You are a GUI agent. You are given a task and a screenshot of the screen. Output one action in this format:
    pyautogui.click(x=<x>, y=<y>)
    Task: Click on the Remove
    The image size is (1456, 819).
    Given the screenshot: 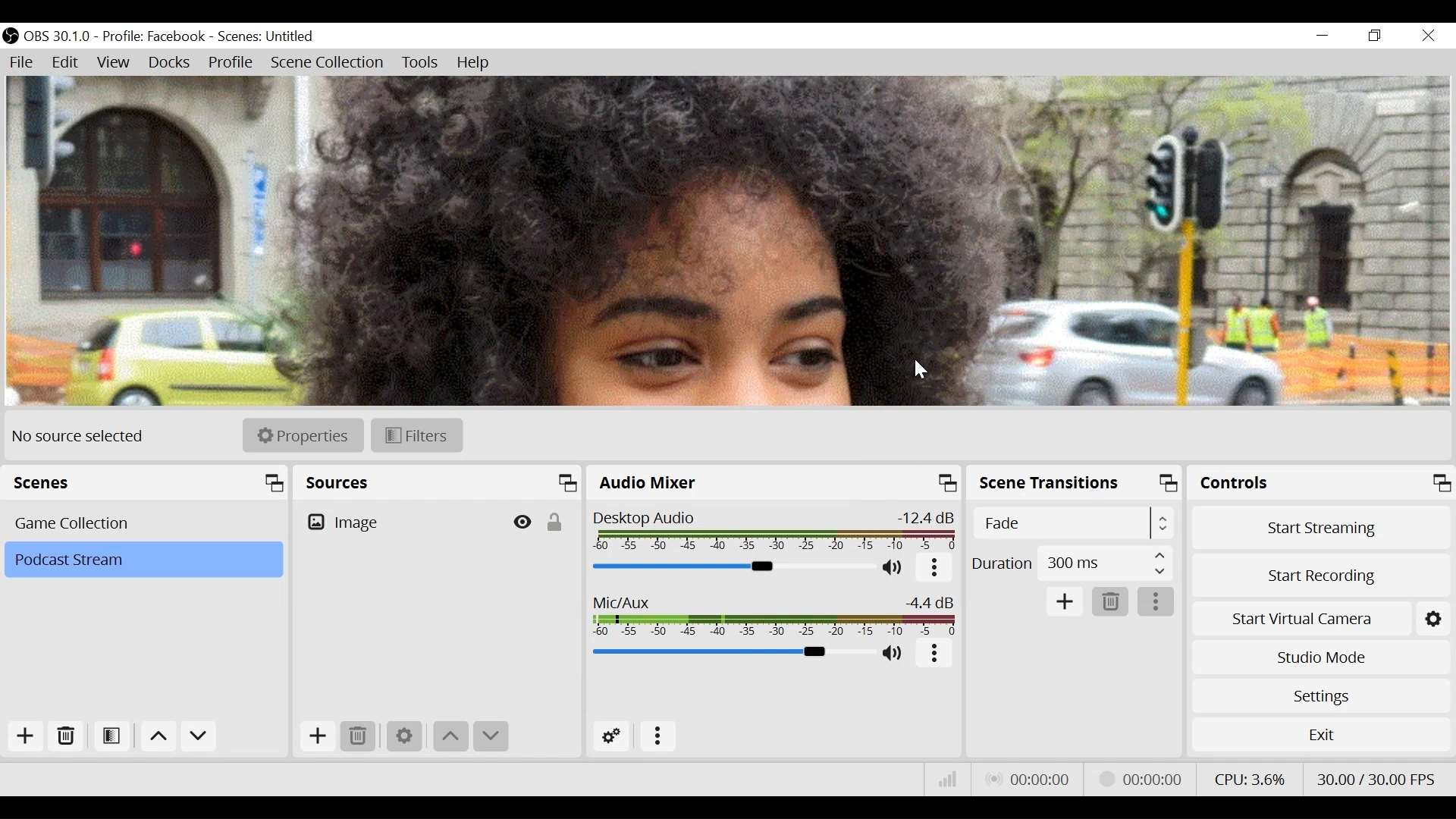 What is the action you would take?
    pyautogui.click(x=1112, y=602)
    